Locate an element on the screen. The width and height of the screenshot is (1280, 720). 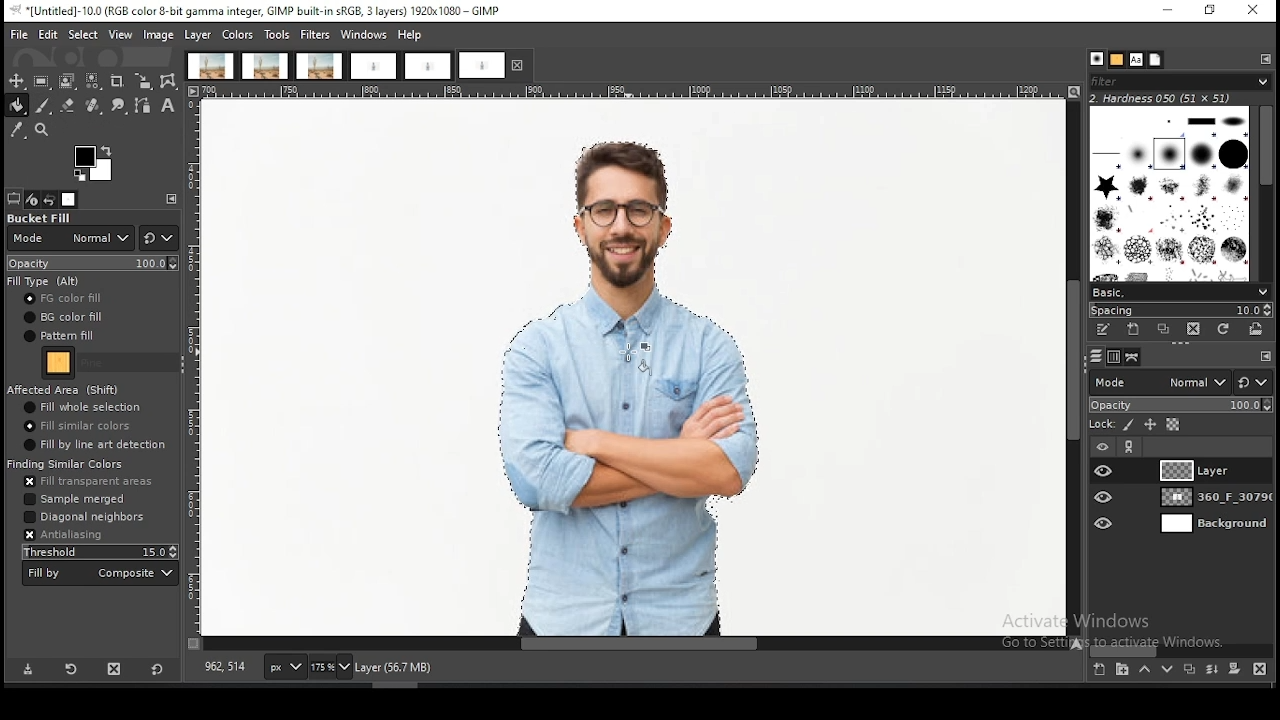
foreground select tool is located at coordinates (67, 81).